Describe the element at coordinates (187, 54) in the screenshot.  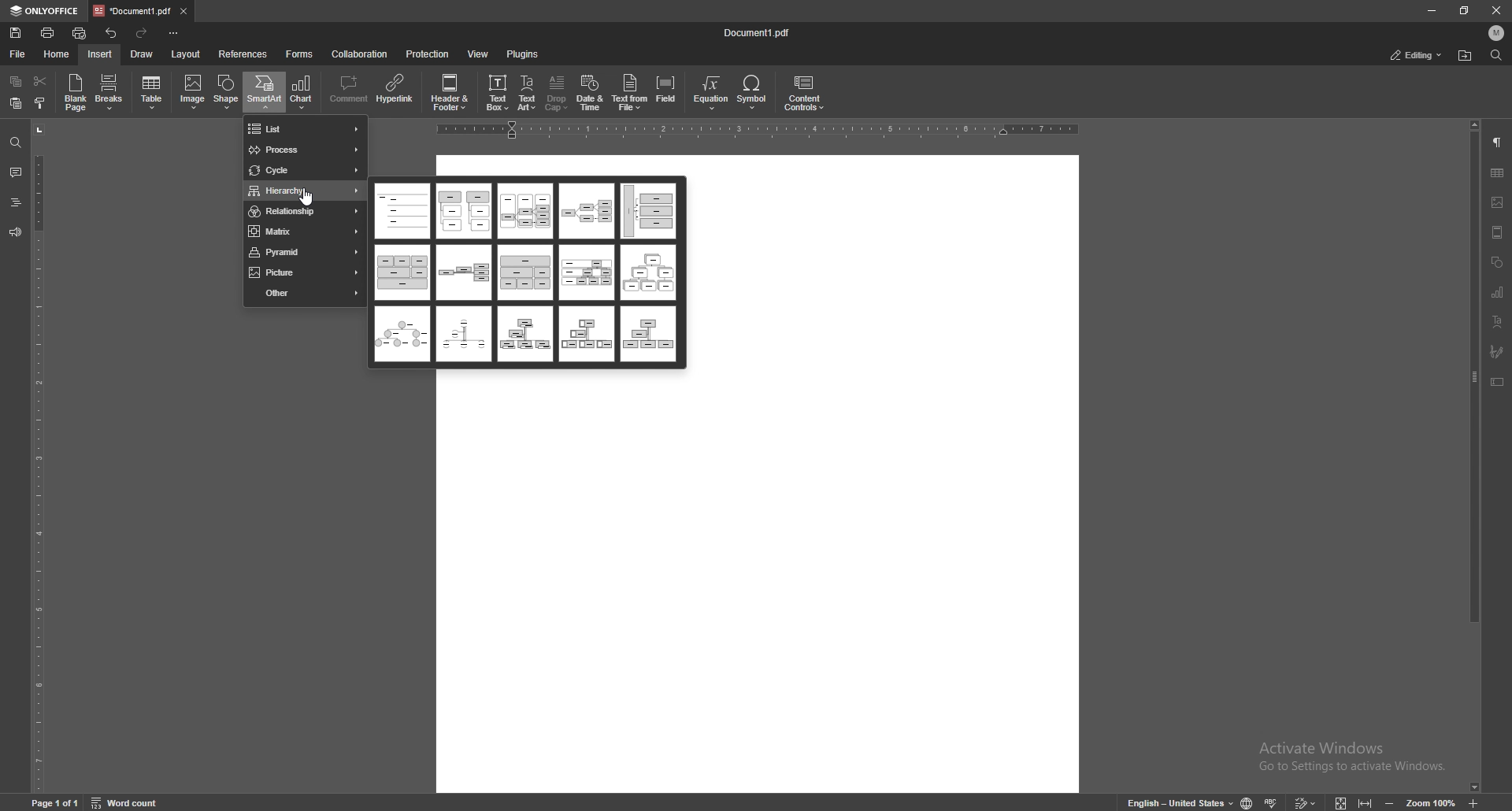
I see `layout` at that location.